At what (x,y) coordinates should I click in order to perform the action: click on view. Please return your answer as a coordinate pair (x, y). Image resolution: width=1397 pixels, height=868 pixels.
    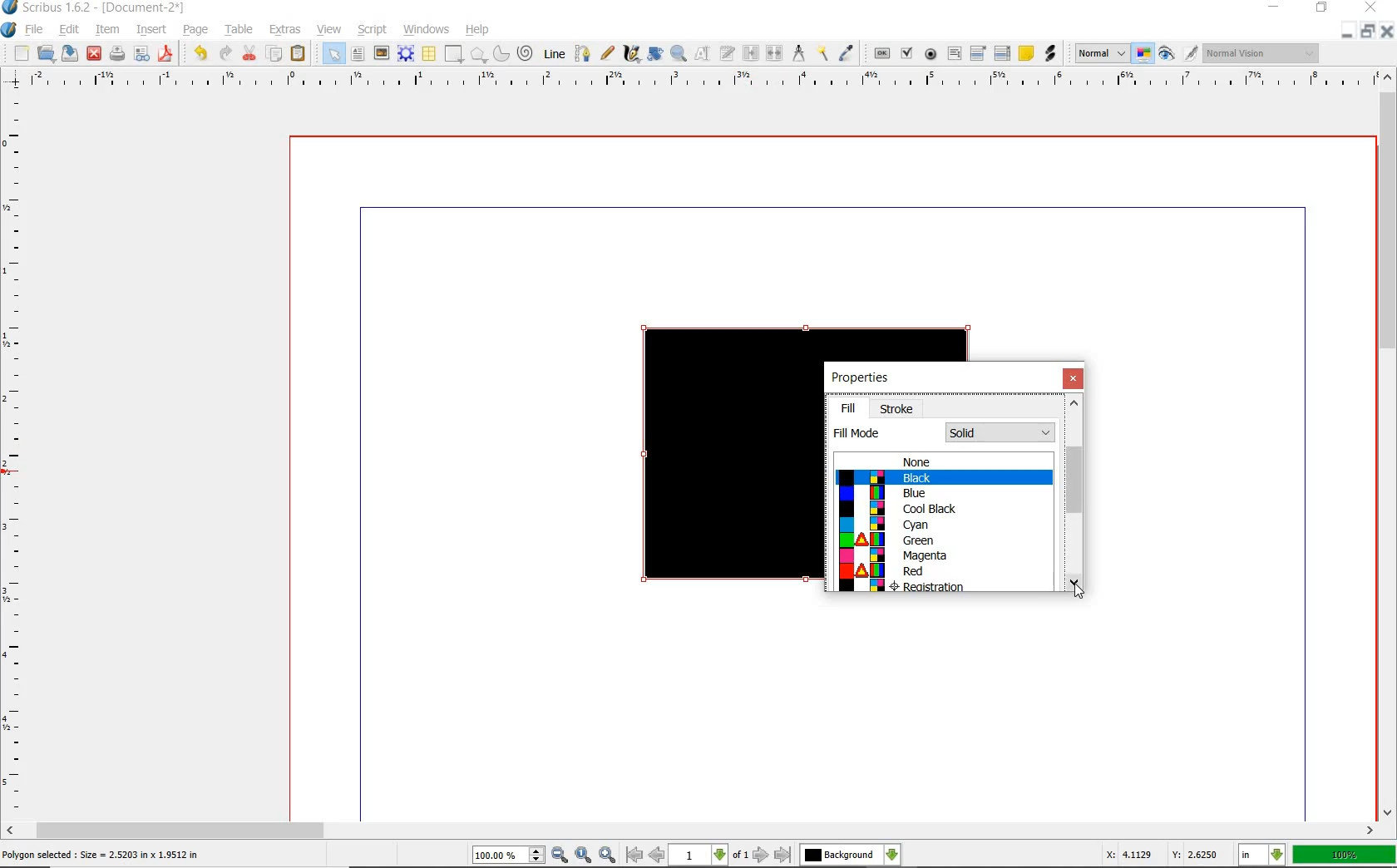
    Looking at the image, I should click on (329, 29).